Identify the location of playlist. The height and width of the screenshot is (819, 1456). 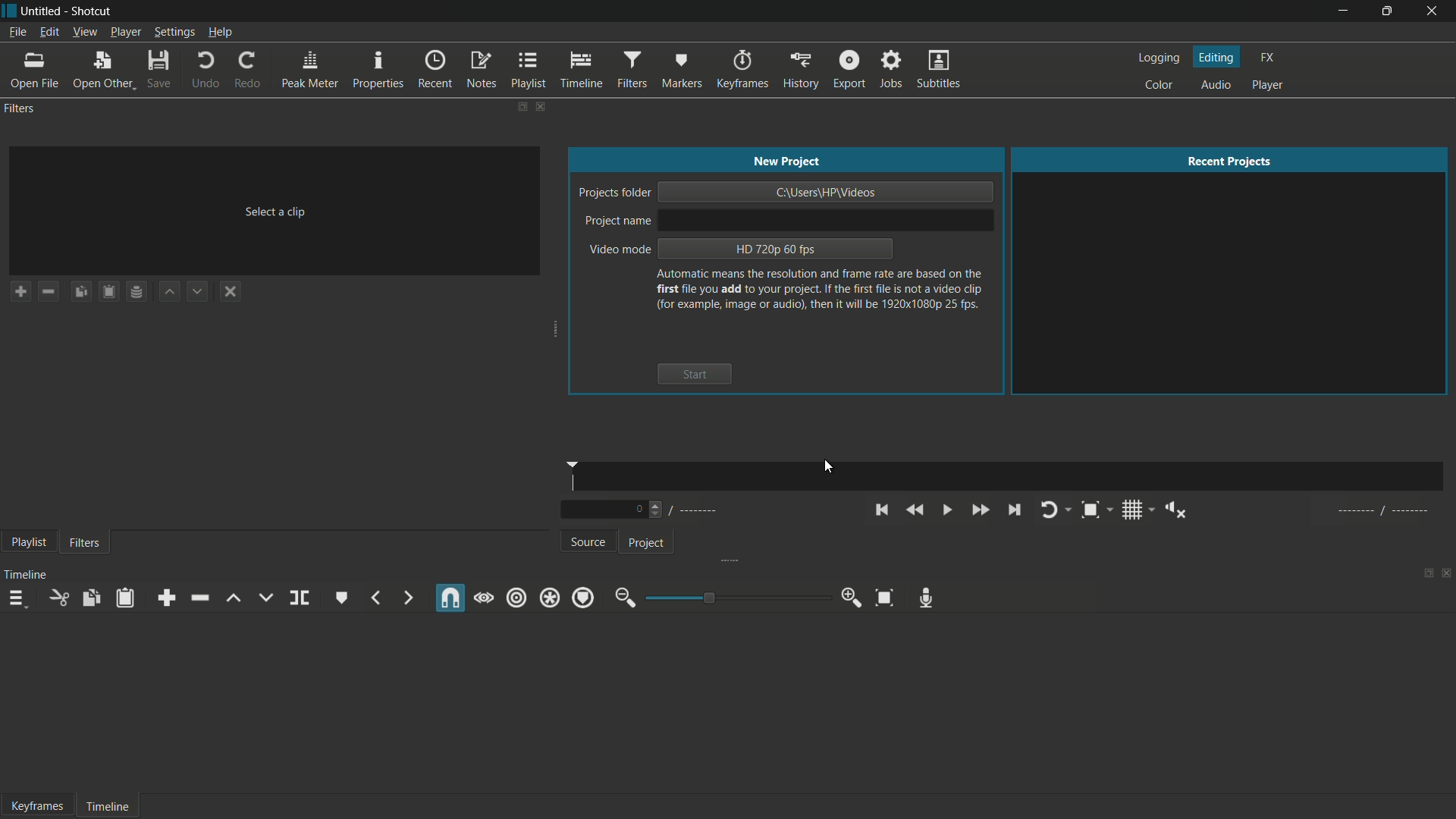
(27, 543).